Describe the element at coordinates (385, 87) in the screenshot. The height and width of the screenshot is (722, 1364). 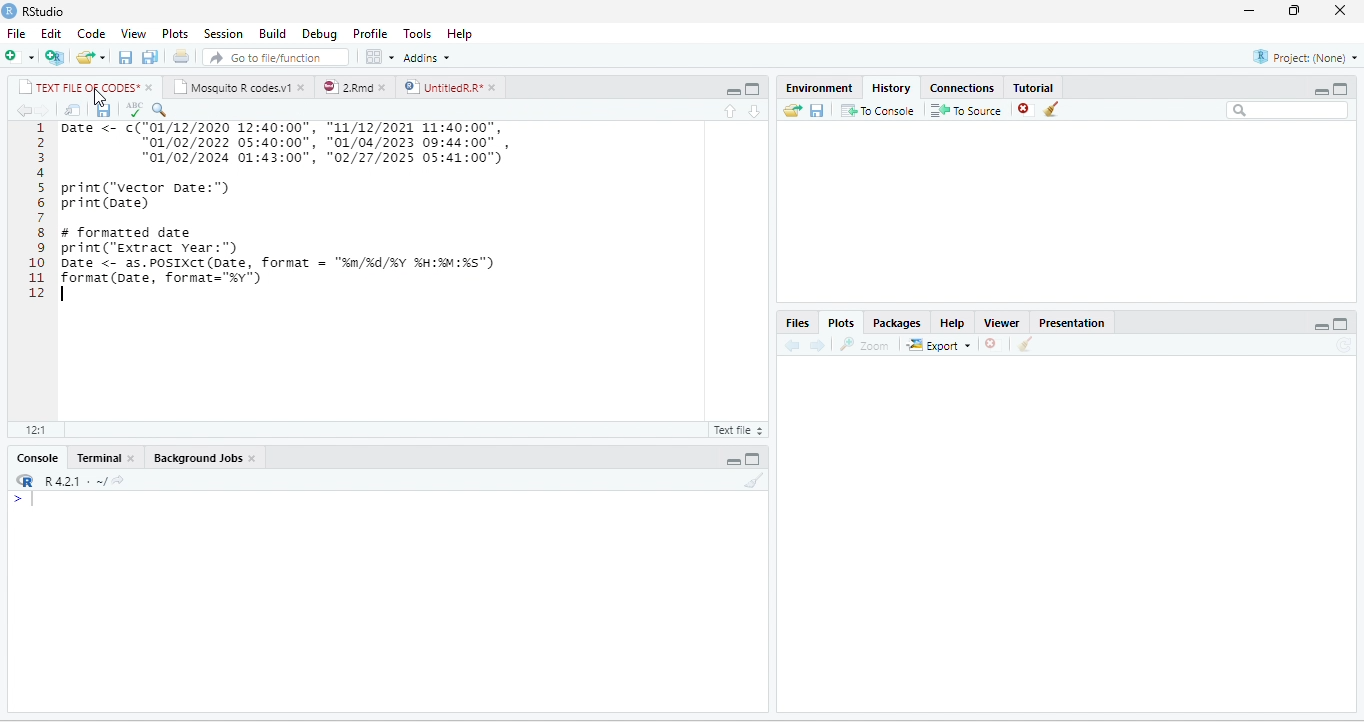
I see `close` at that location.